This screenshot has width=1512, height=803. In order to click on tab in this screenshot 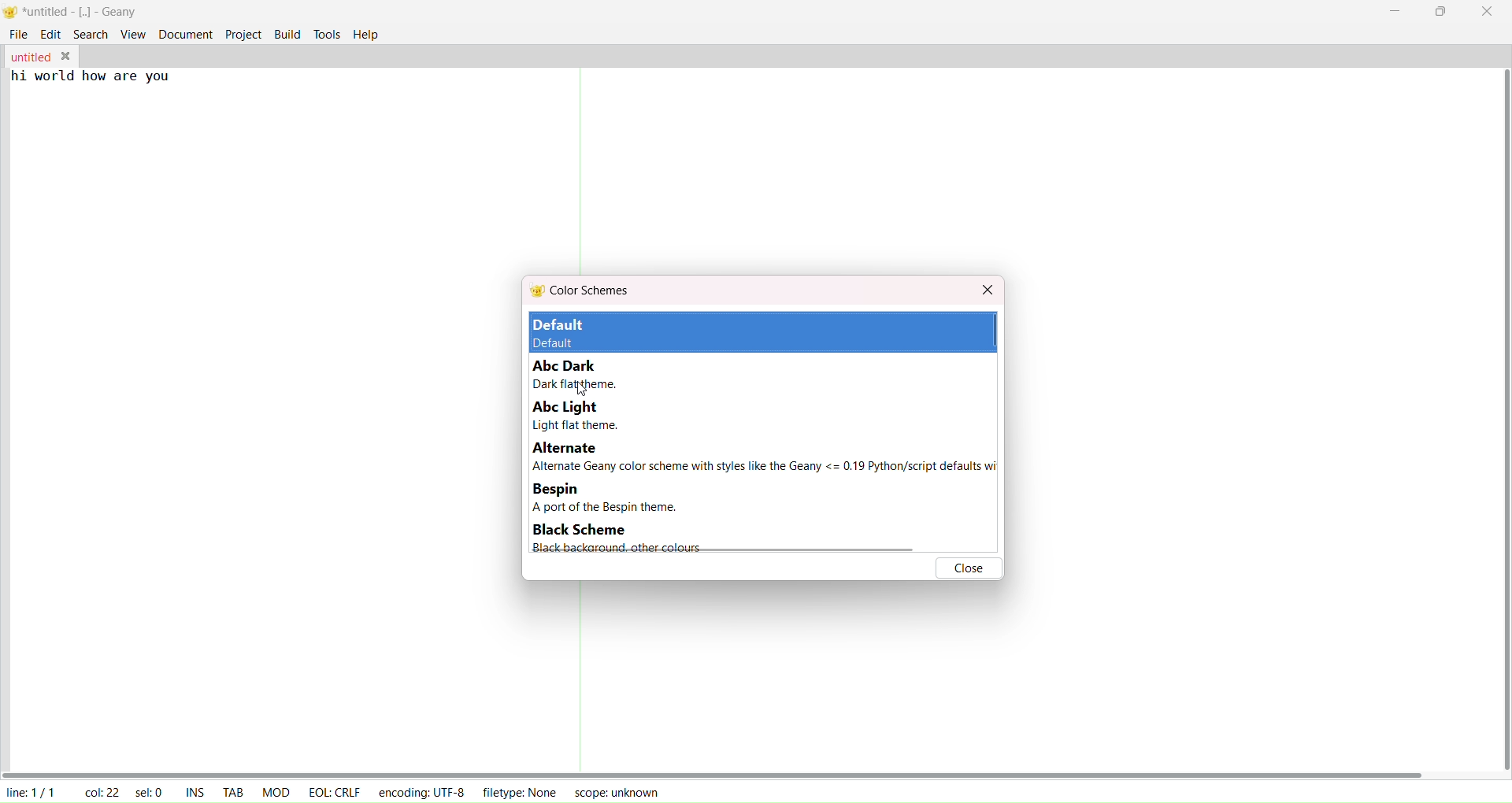, I will do `click(231, 792)`.